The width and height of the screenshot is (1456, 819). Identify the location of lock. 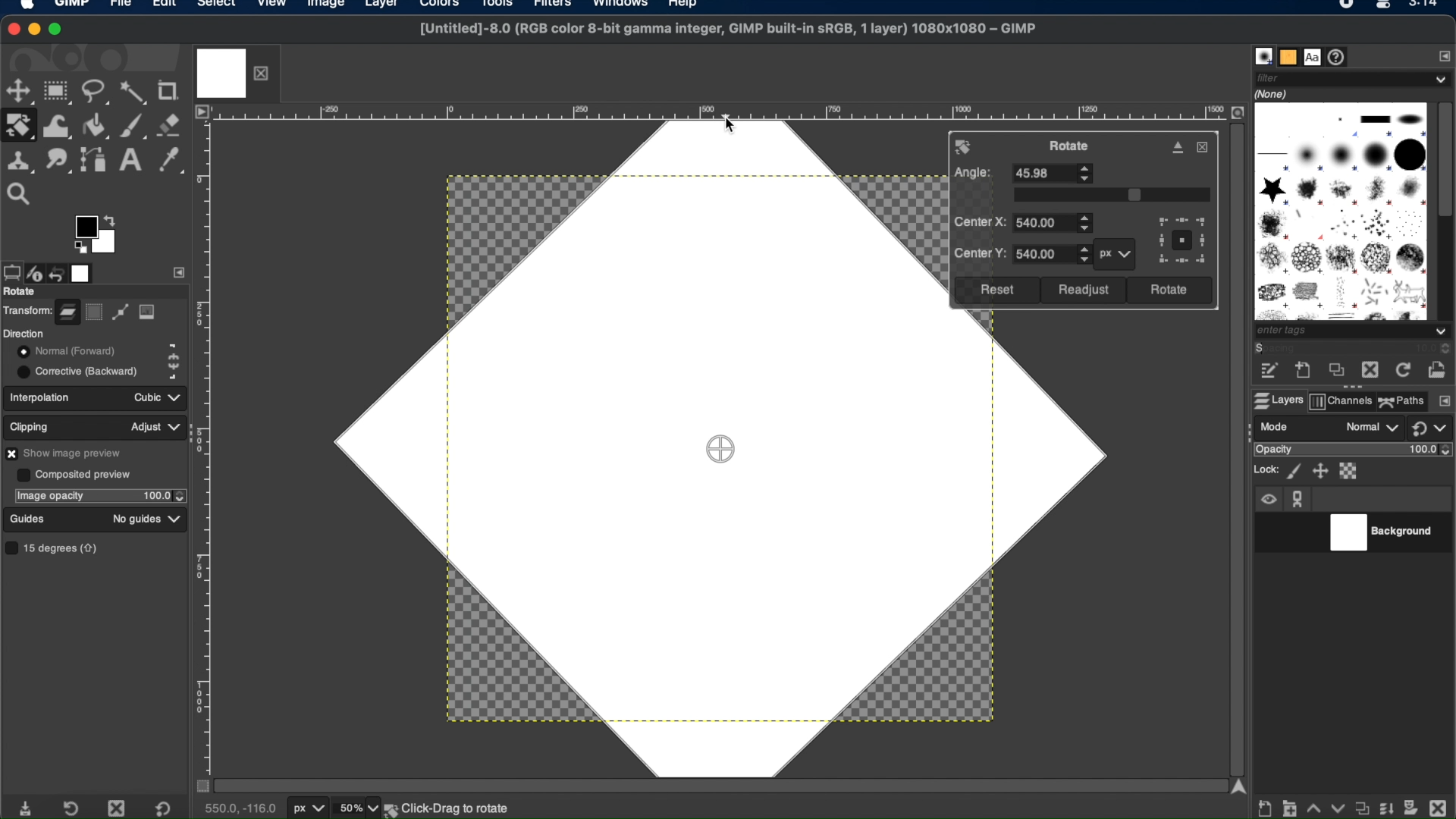
(1264, 469).